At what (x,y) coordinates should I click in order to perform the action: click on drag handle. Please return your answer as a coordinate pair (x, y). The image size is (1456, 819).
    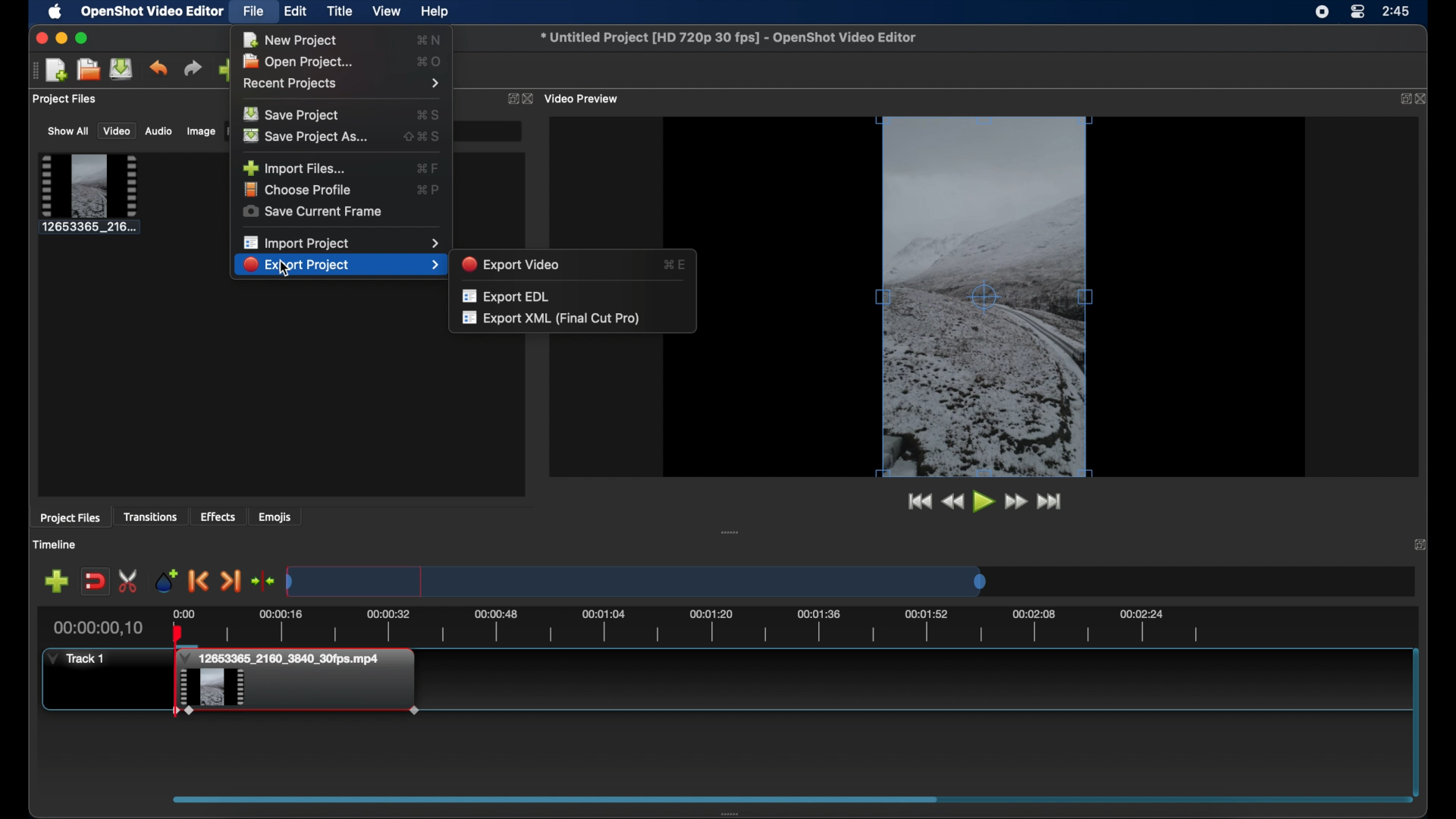
    Looking at the image, I should click on (730, 532).